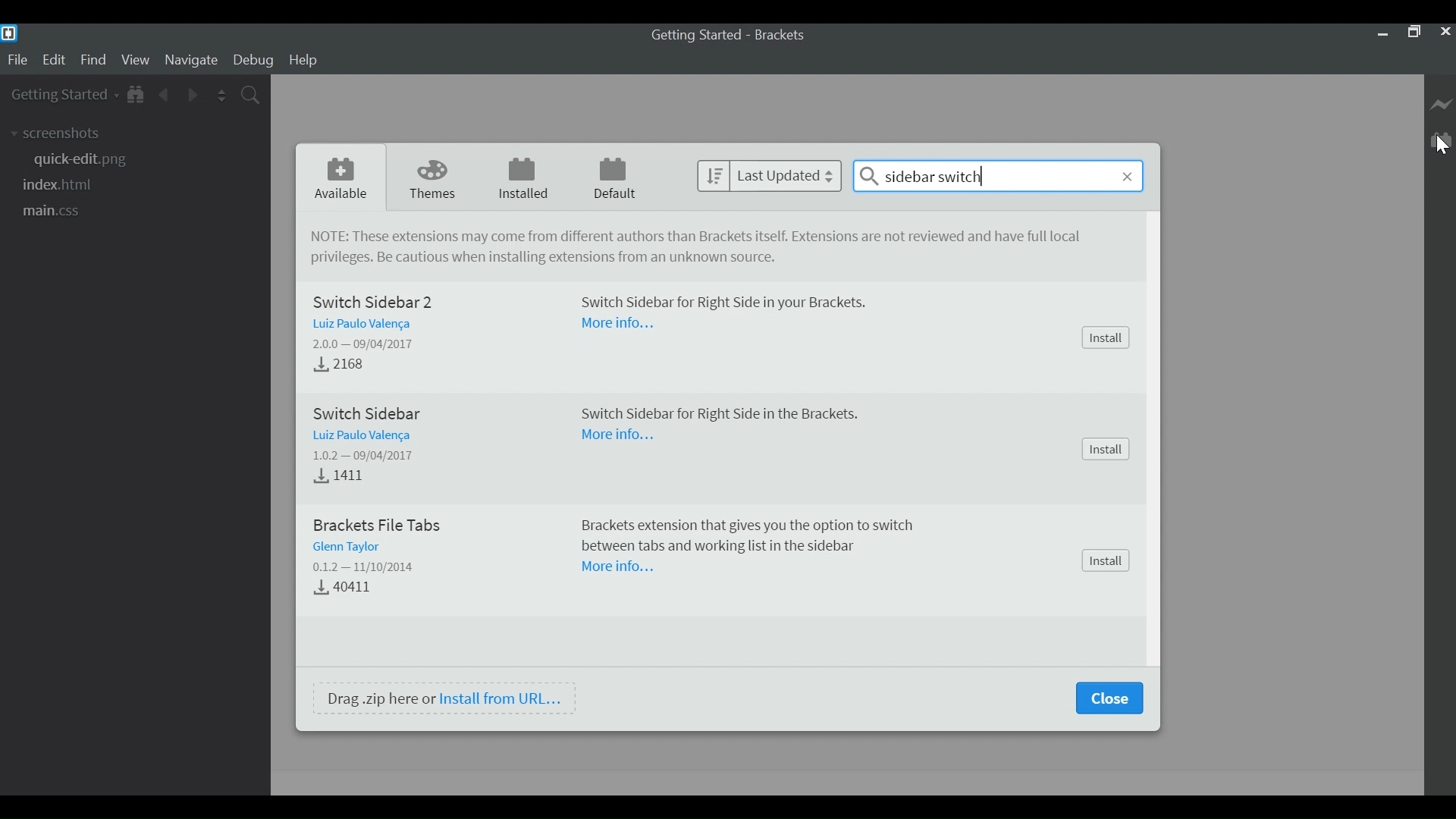 The image size is (1456, 819). What do you see at coordinates (1106, 449) in the screenshot?
I see `Install` at bounding box center [1106, 449].